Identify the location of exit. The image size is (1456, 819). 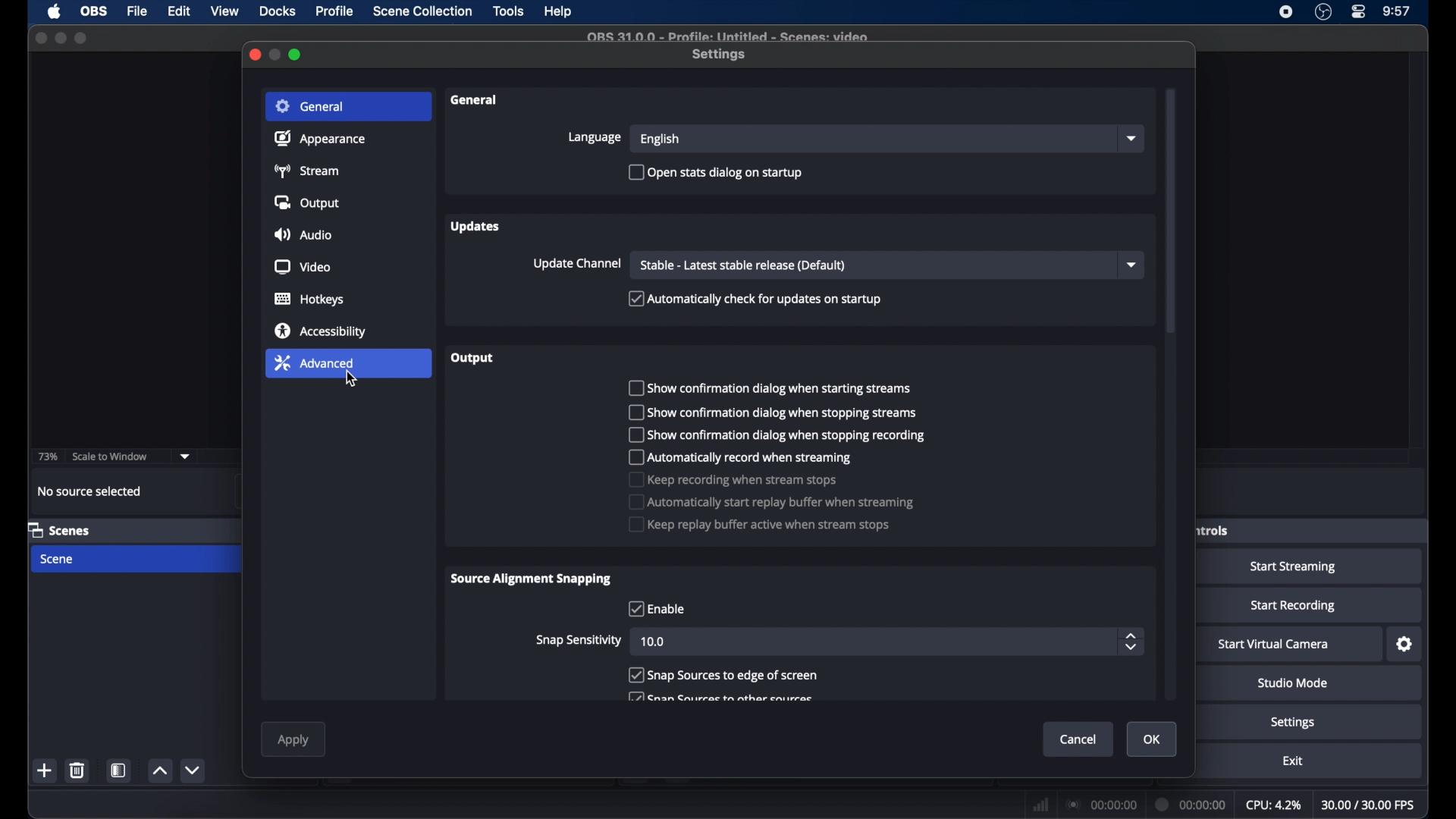
(1292, 761).